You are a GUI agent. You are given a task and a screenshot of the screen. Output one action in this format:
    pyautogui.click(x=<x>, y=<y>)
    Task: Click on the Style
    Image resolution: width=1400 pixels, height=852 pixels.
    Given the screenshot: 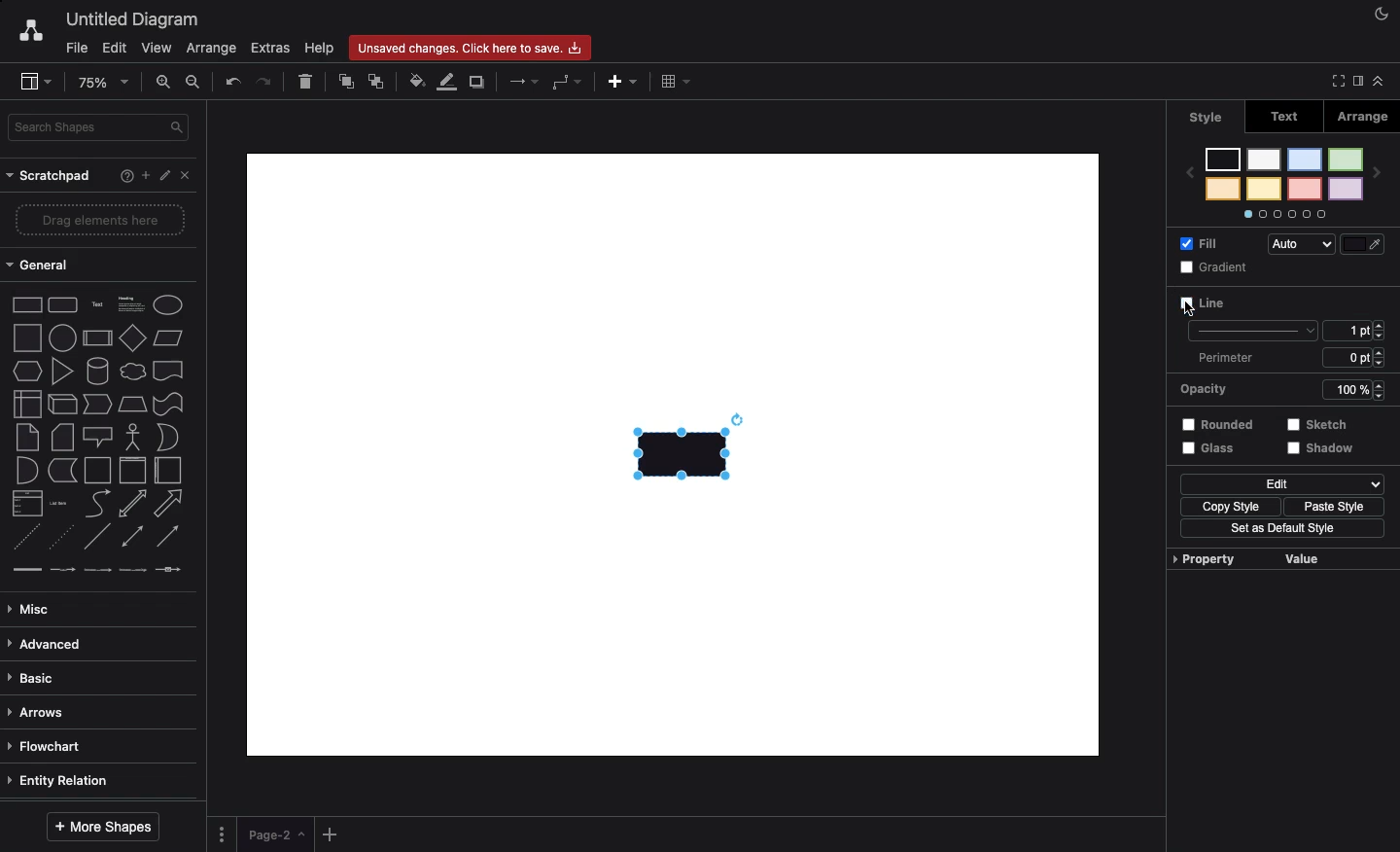 What is the action you would take?
    pyautogui.click(x=1201, y=119)
    